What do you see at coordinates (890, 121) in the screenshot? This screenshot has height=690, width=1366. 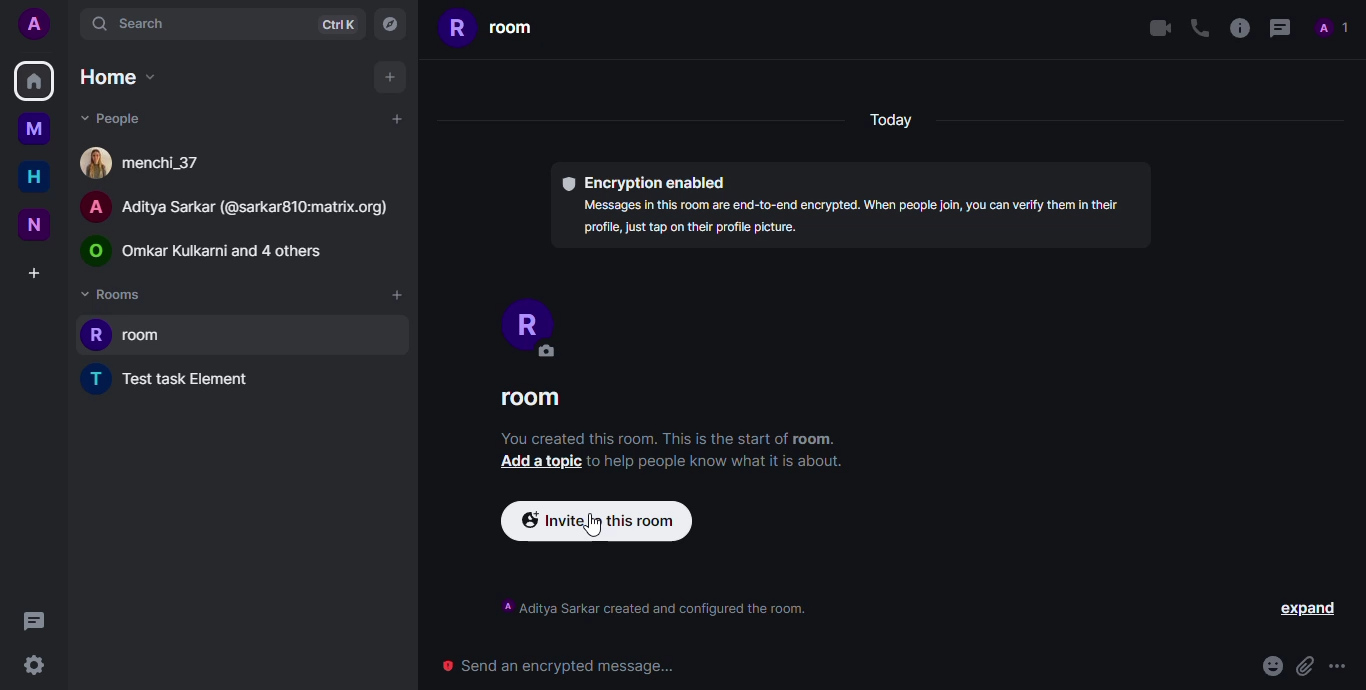 I see `Today` at bounding box center [890, 121].